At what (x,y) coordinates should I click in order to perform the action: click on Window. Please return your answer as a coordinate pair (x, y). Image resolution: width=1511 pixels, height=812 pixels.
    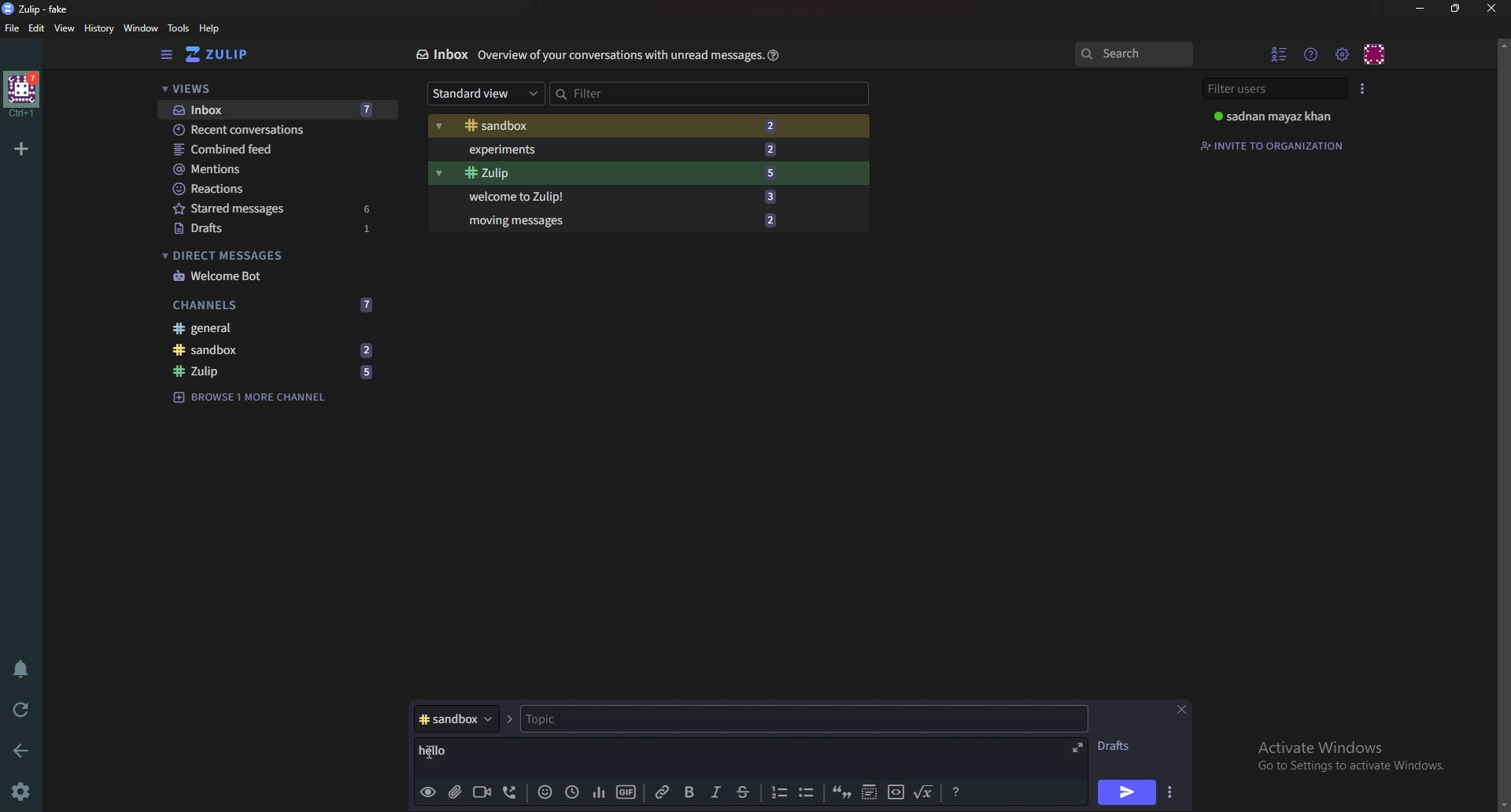
    Looking at the image, I should click on (142, 28).